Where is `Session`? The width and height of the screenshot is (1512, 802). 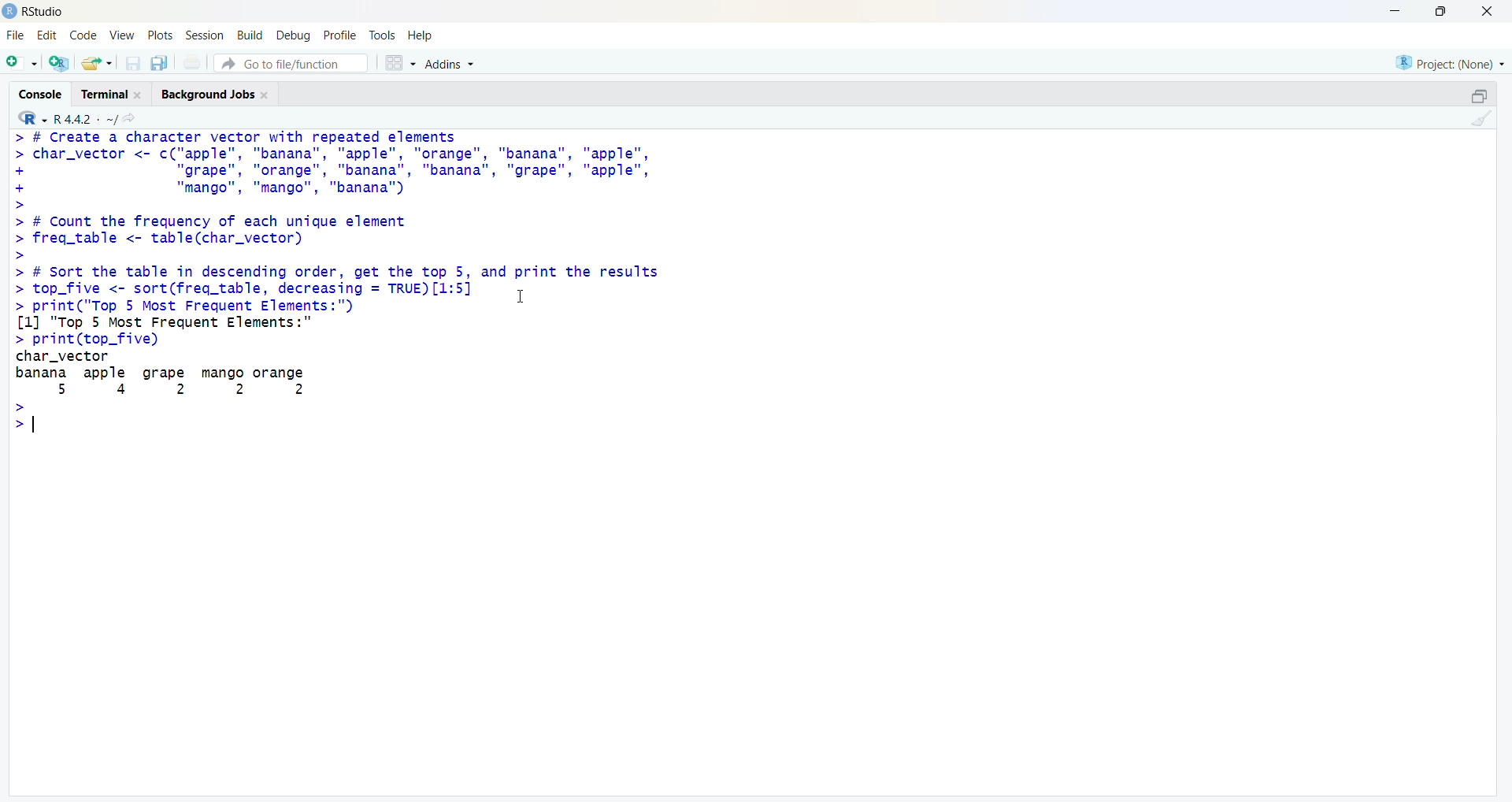
Session is located at coordinates (206, 35).